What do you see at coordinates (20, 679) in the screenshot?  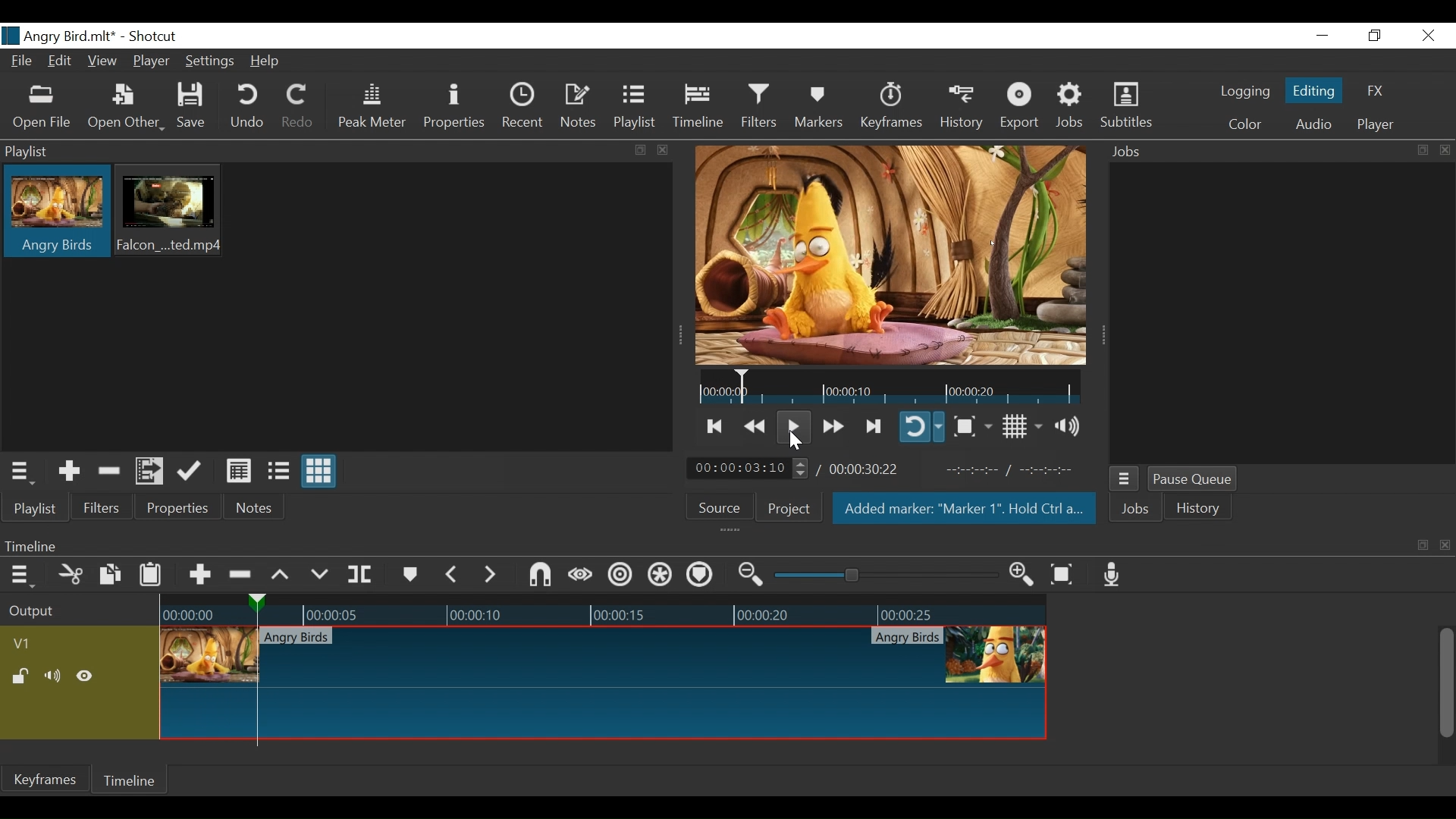 I see `(un)lock track` at bounding box center [20, 679].